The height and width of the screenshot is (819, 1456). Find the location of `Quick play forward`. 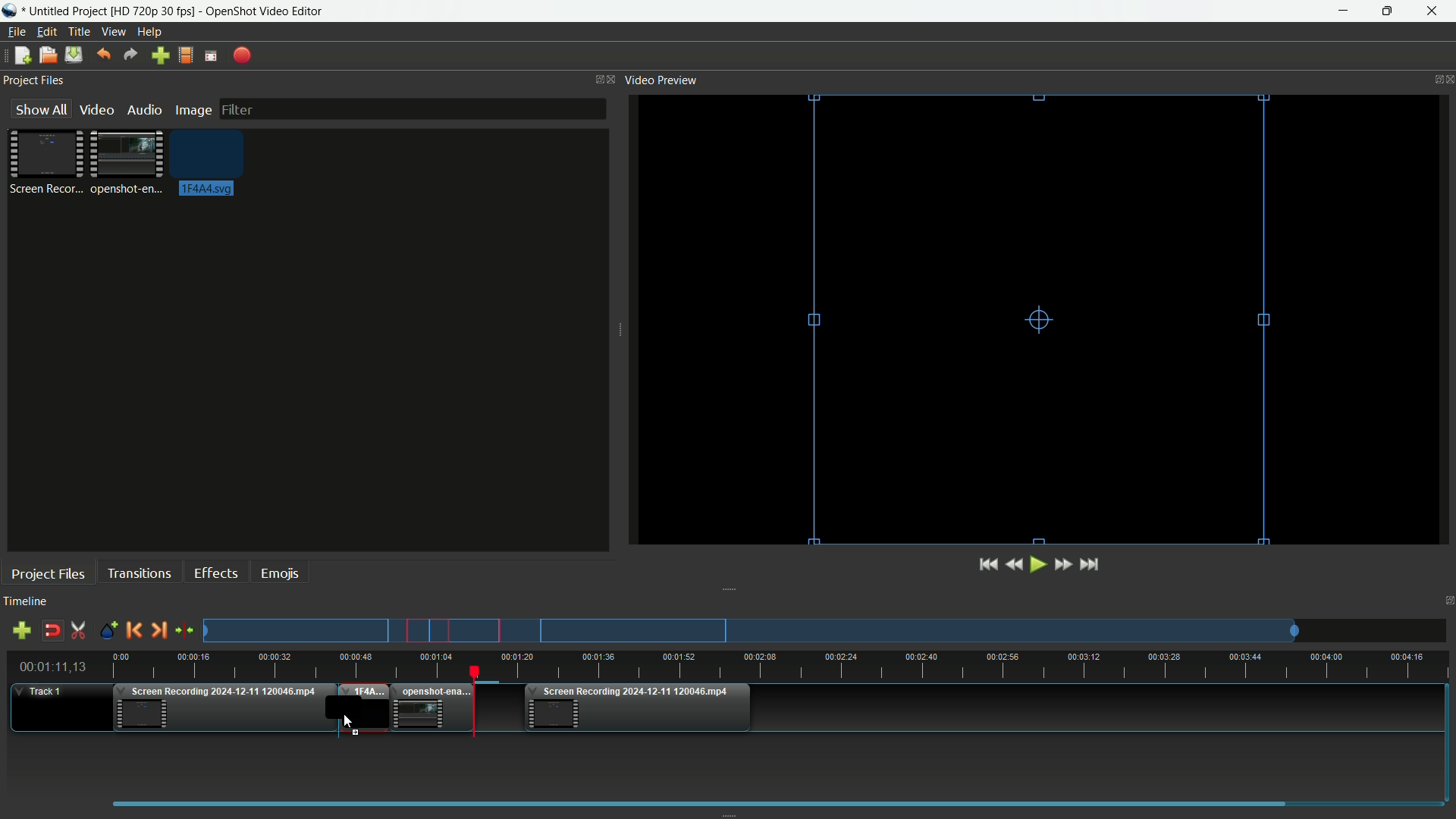

Quick play forward is located at coordinates (1062, 564).